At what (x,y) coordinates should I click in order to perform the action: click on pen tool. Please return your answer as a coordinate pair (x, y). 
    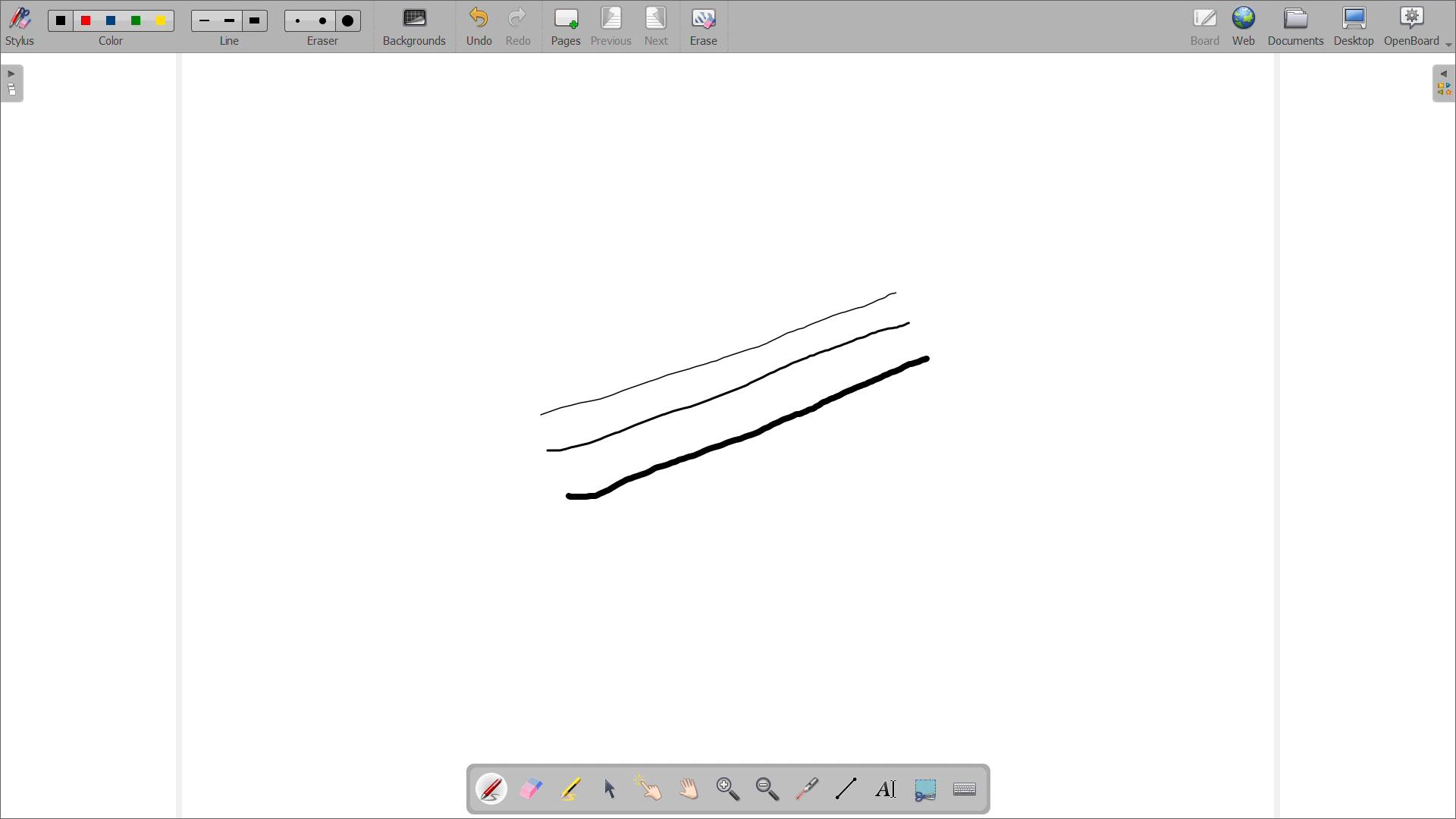
    Looking at the image, I should click on (494, 789).